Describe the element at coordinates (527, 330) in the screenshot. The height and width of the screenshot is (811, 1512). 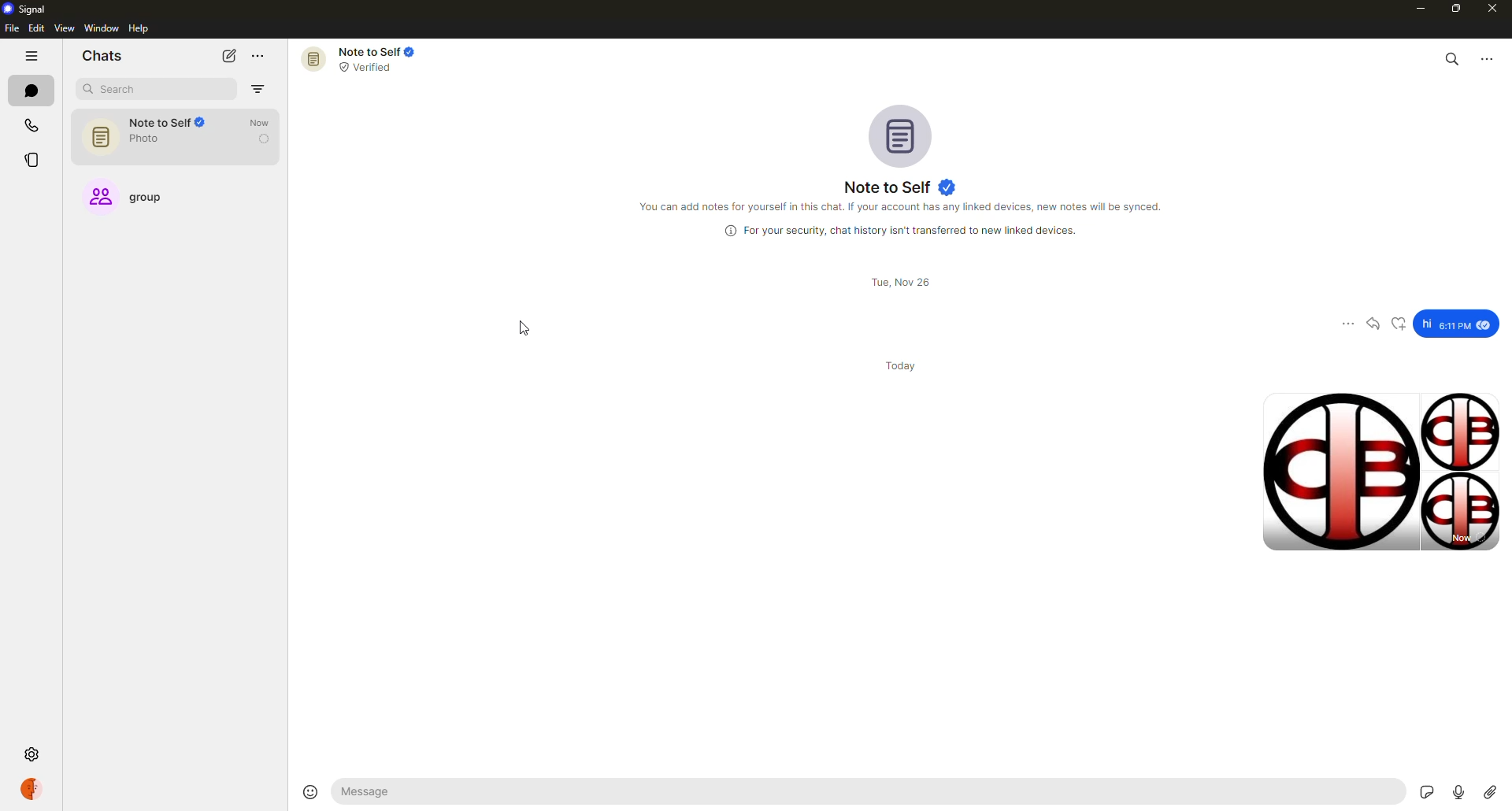
I see `cursor` at that location.